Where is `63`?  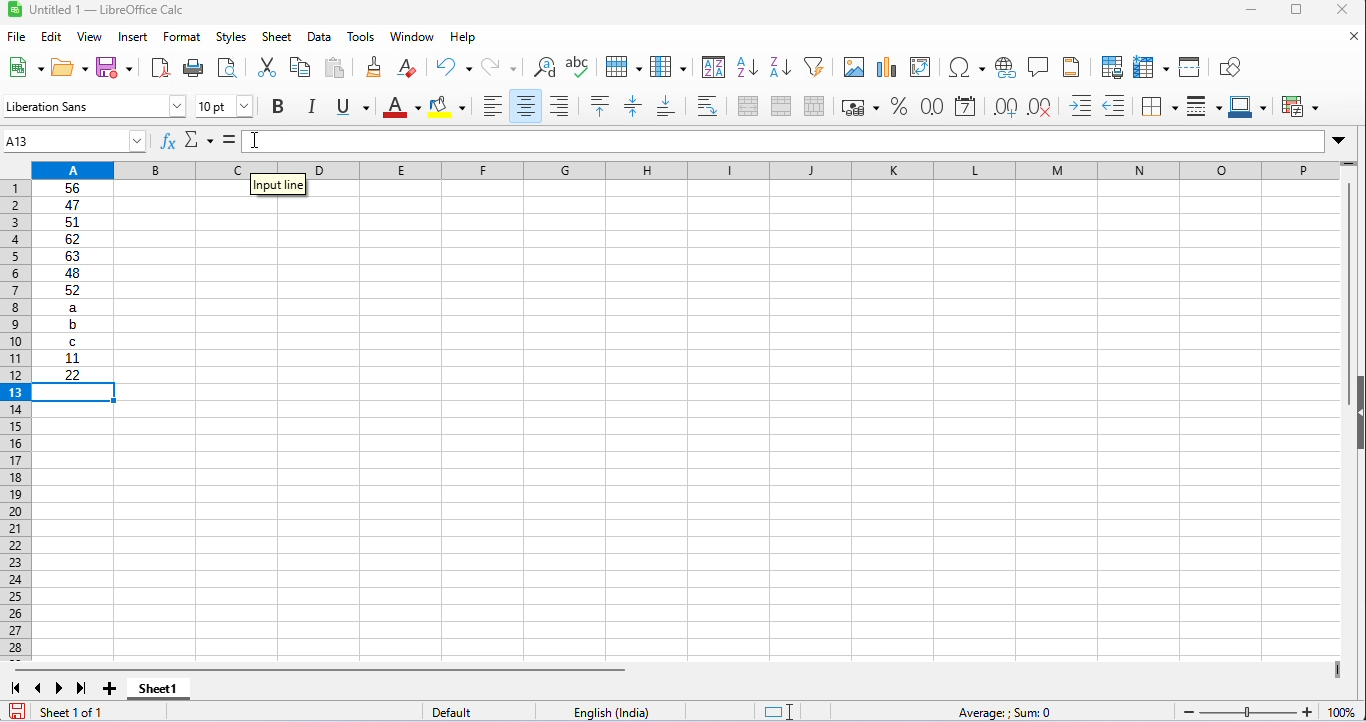 63 is located at coordinates (72, 256).